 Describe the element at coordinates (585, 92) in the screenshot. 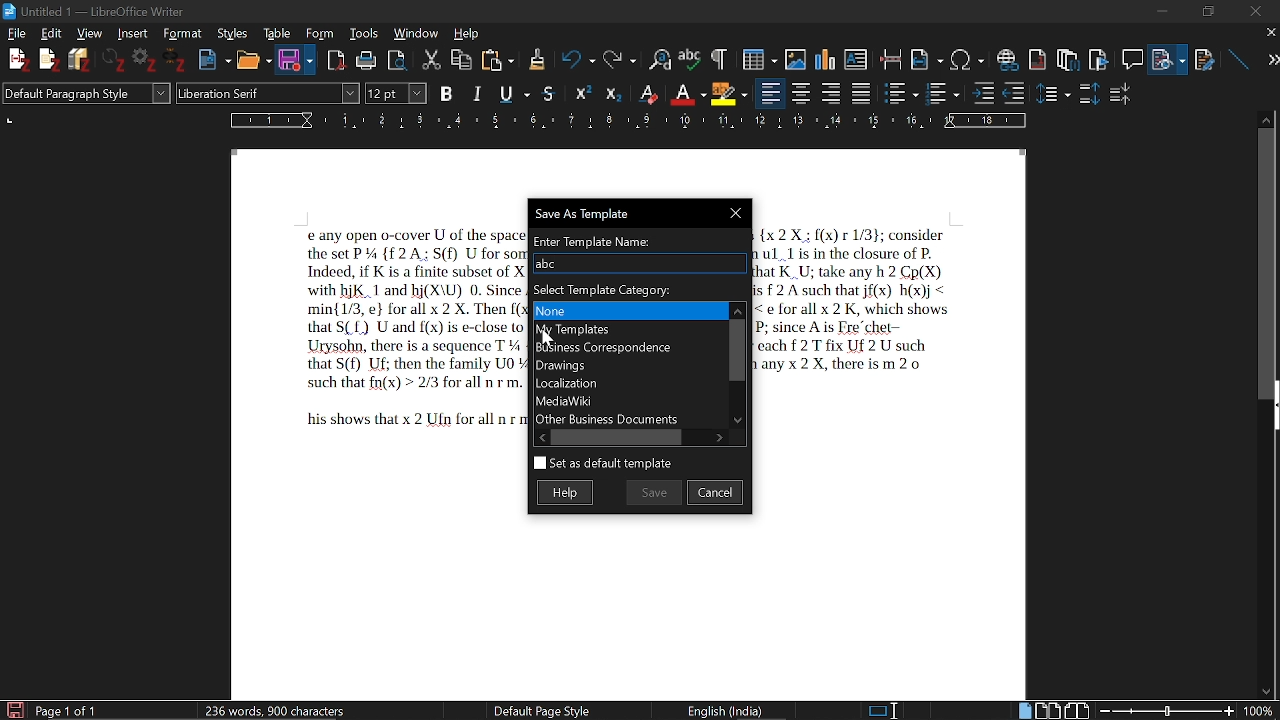

I see `` at that location.